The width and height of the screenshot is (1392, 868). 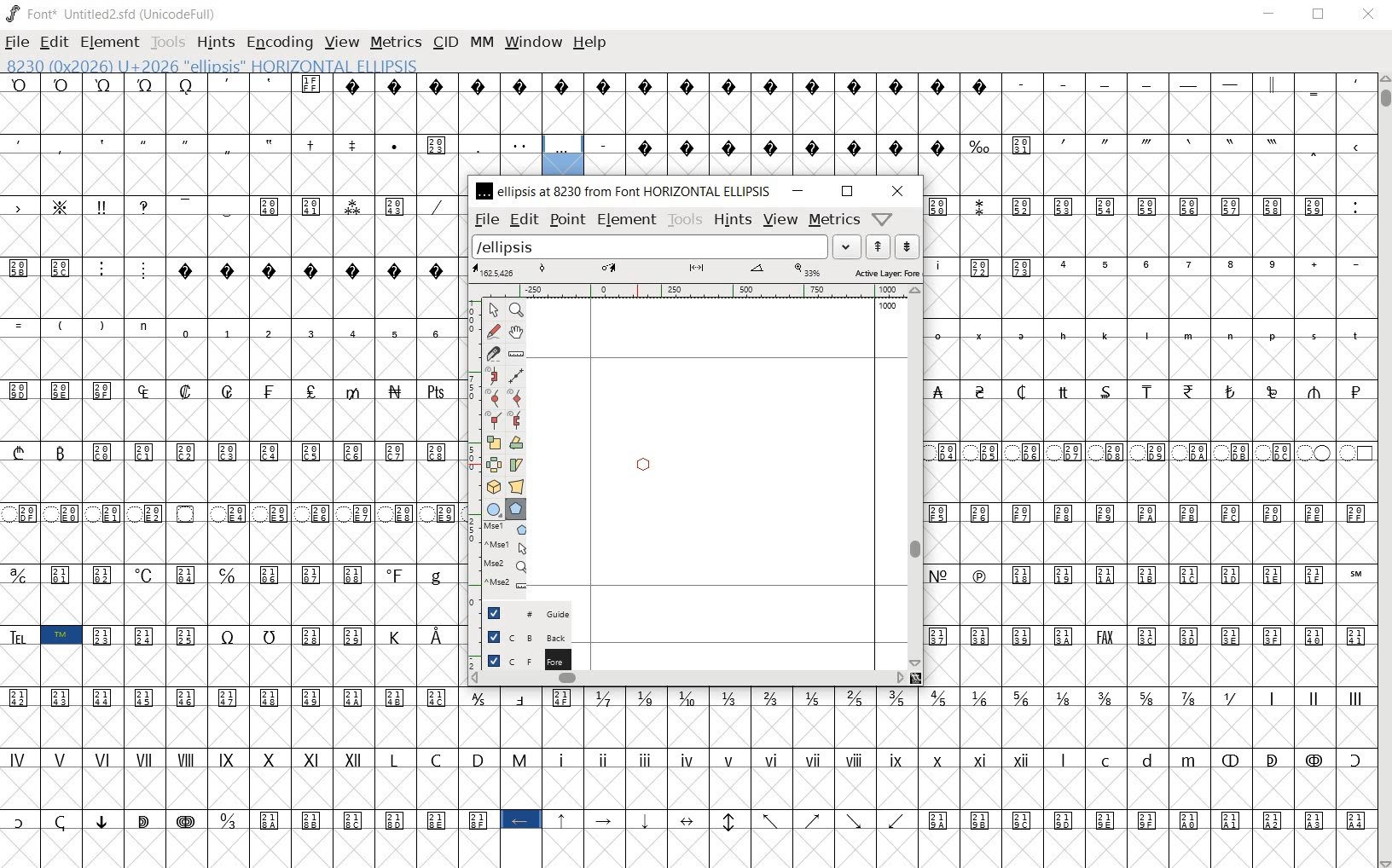 What do you see at coordinates (518, 333) in the screenshot?
I see `scroll by hand` at bounding box center [518, 333].